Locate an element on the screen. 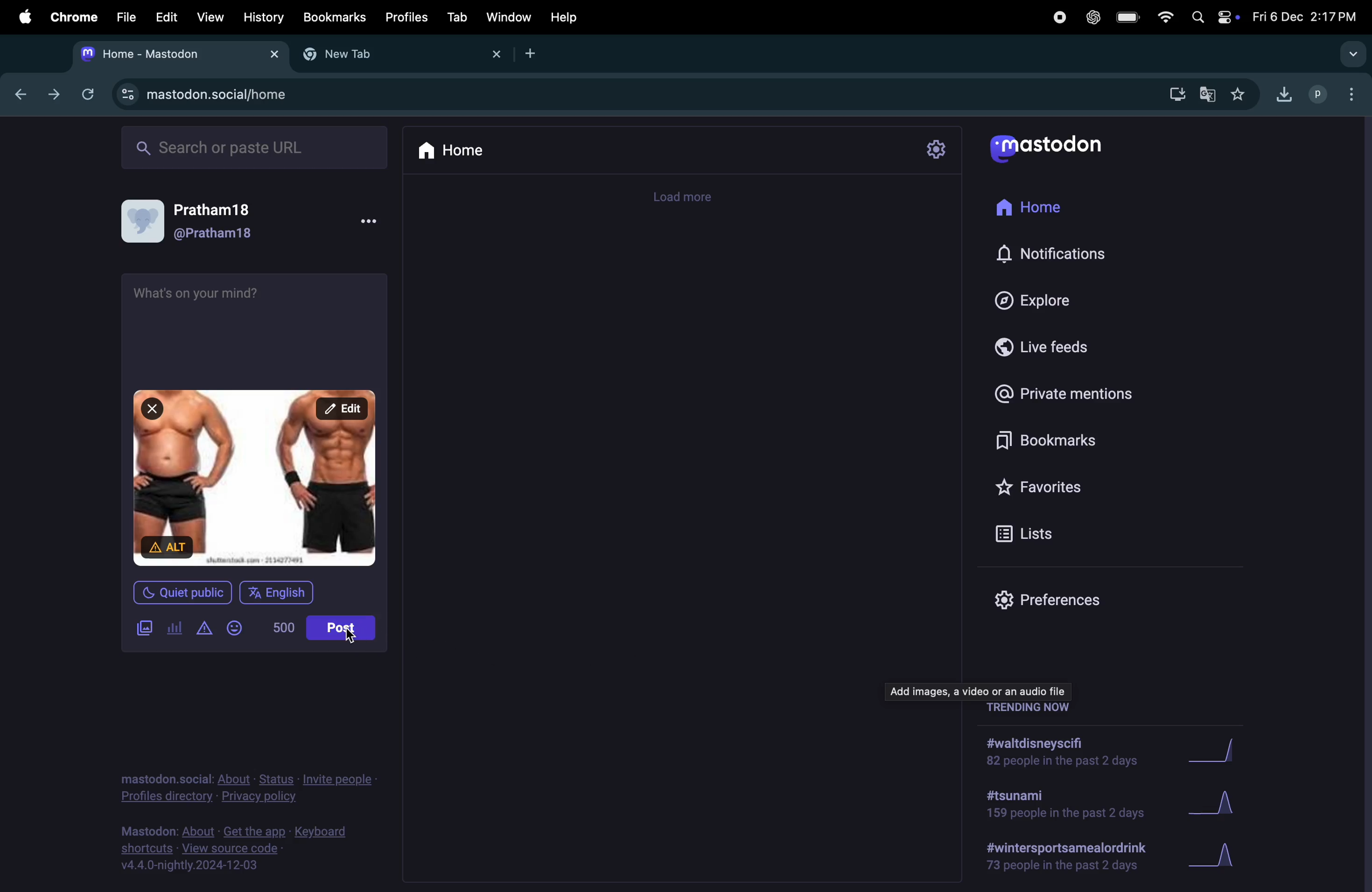 This screenshot has height=892, width=1372. trending now is located at coordinates (1030, 710).